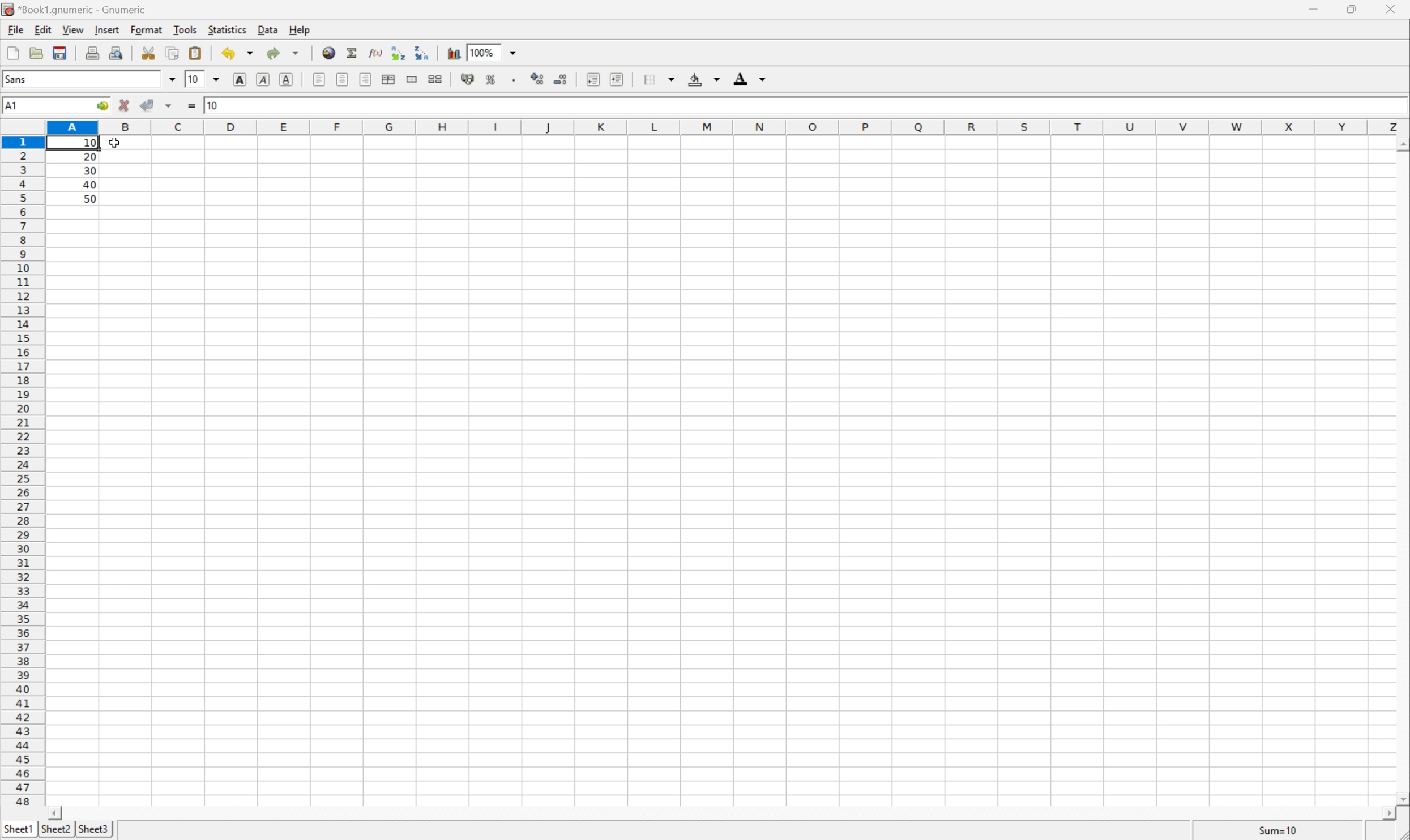 The width and height of the screenshot is (1410, 840). What do you see at coordinates (72, 29) in the screenshot?
I see `View` at bounding box center [72, 29].